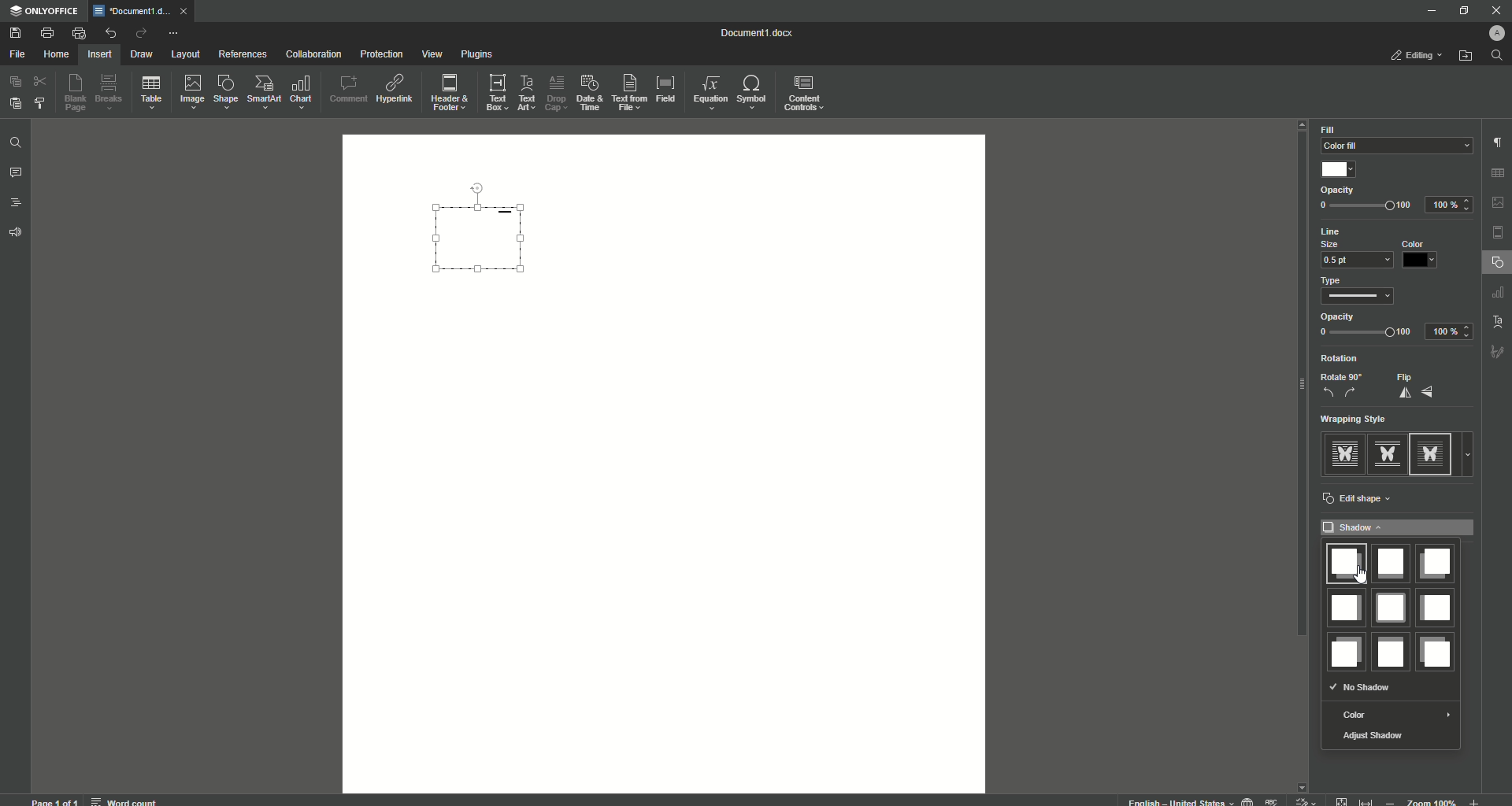 Image resolution: width=1512 pixels, height=806 pixels. I want to click on Black  Color, so click(1421, 255).